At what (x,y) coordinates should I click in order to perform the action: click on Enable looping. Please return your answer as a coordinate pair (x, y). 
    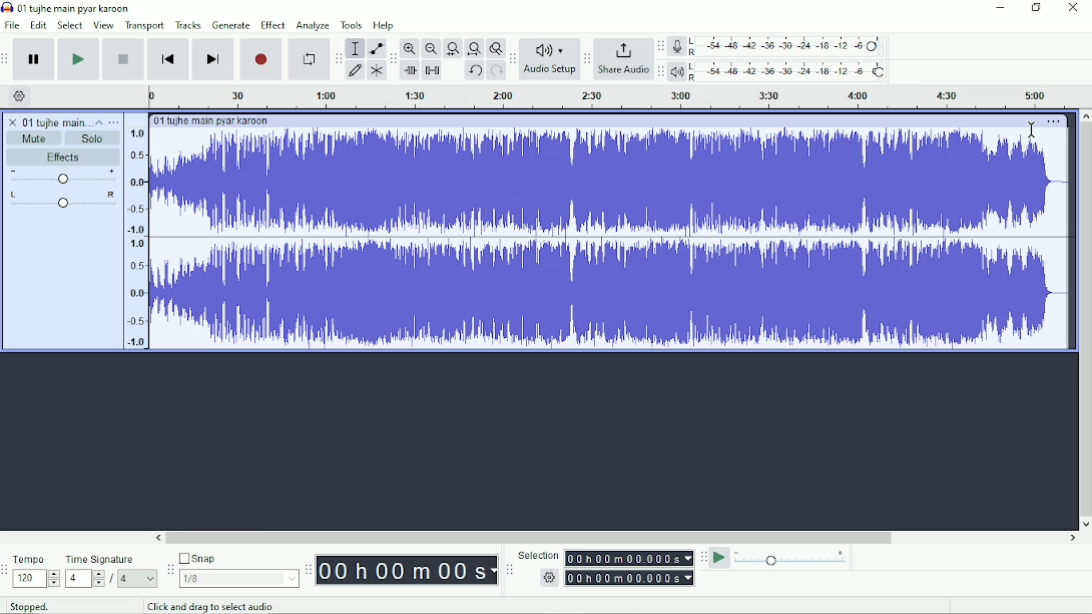
    Looking at the image, I should click on (309, 60).